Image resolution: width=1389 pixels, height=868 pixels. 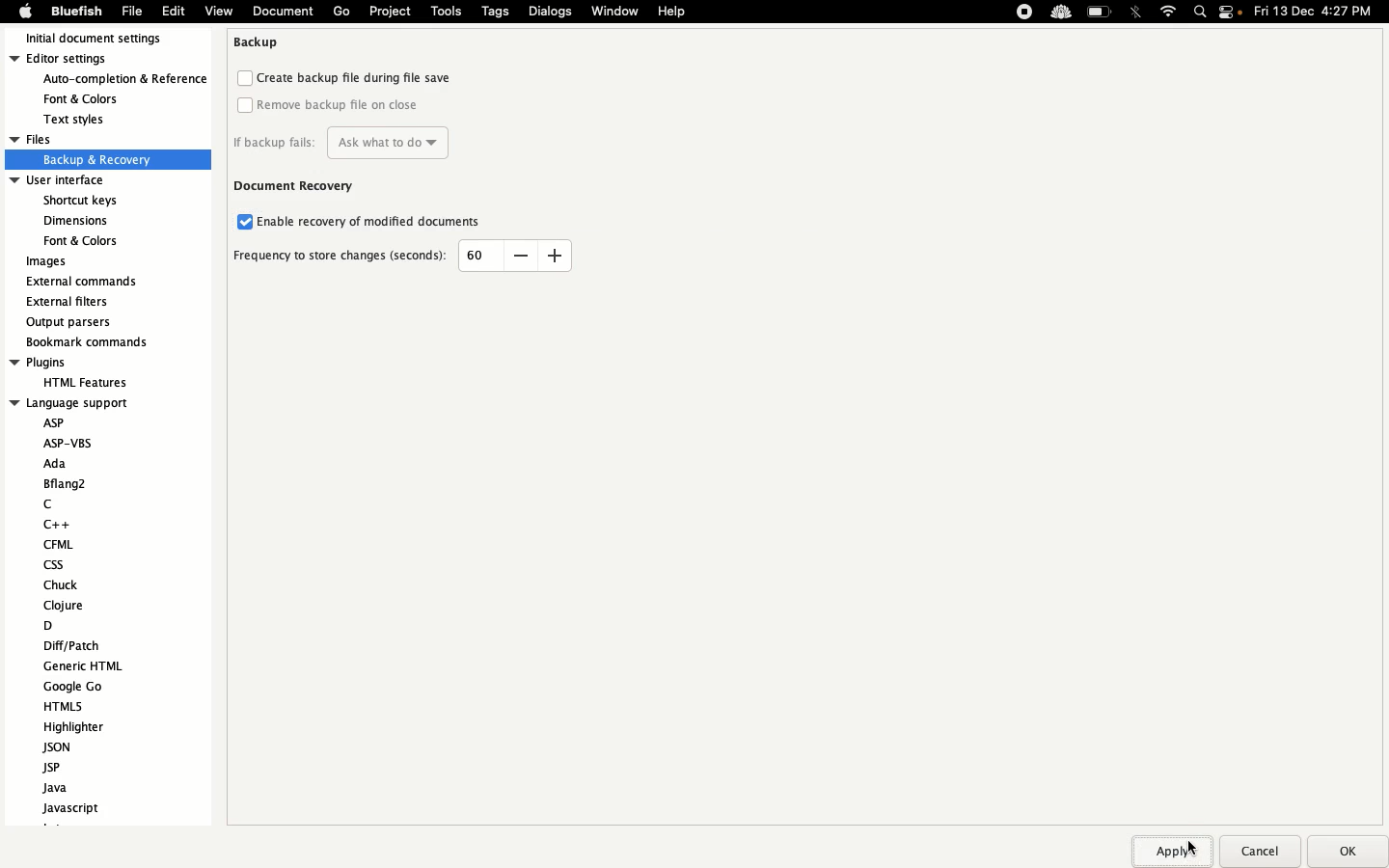 What do you see at coordinates (21, 13) in the screenshot?
I see `Apple logo` at bounding box center [21, 13].